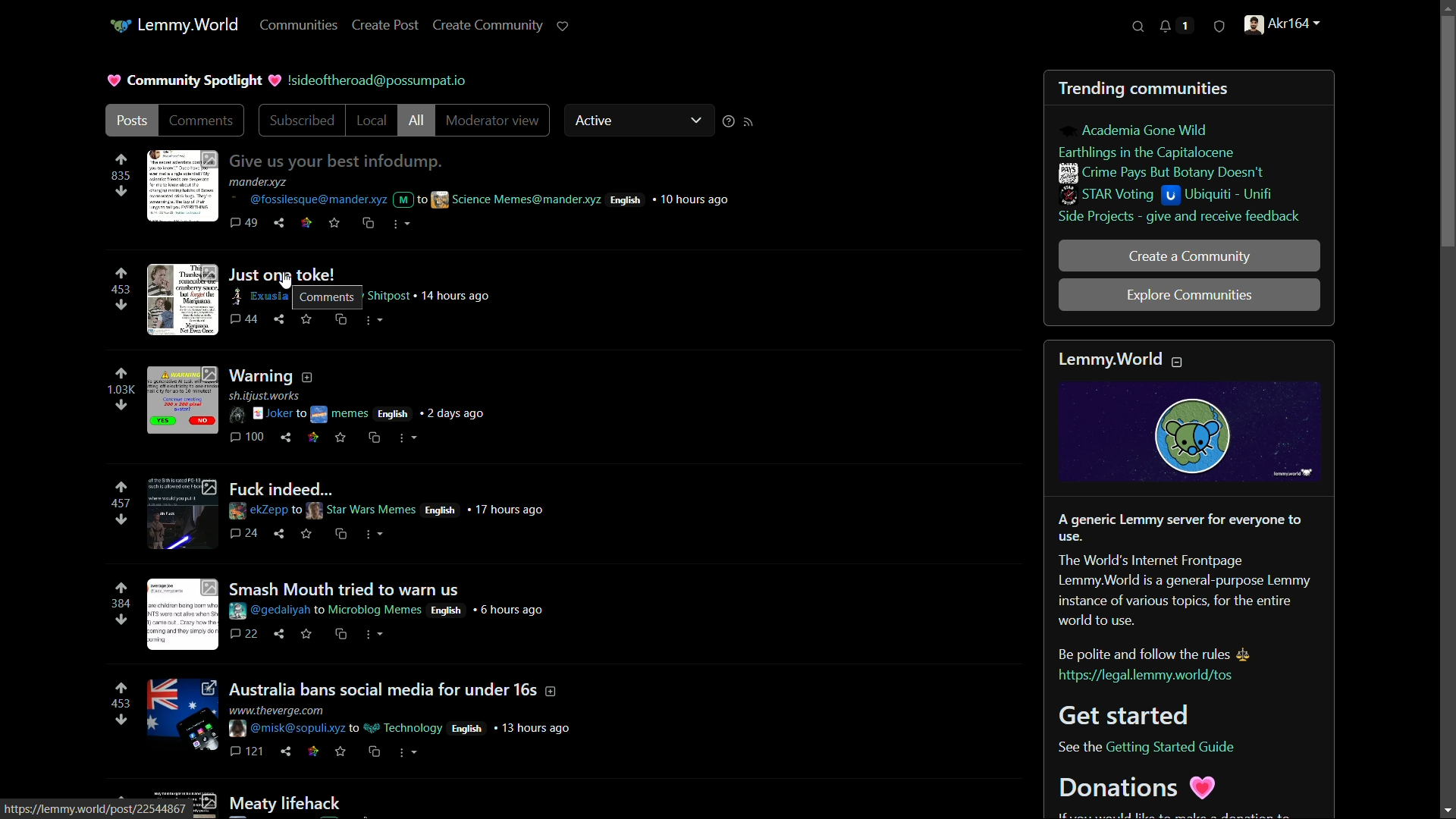  I want to click on save, so click(308, 634).